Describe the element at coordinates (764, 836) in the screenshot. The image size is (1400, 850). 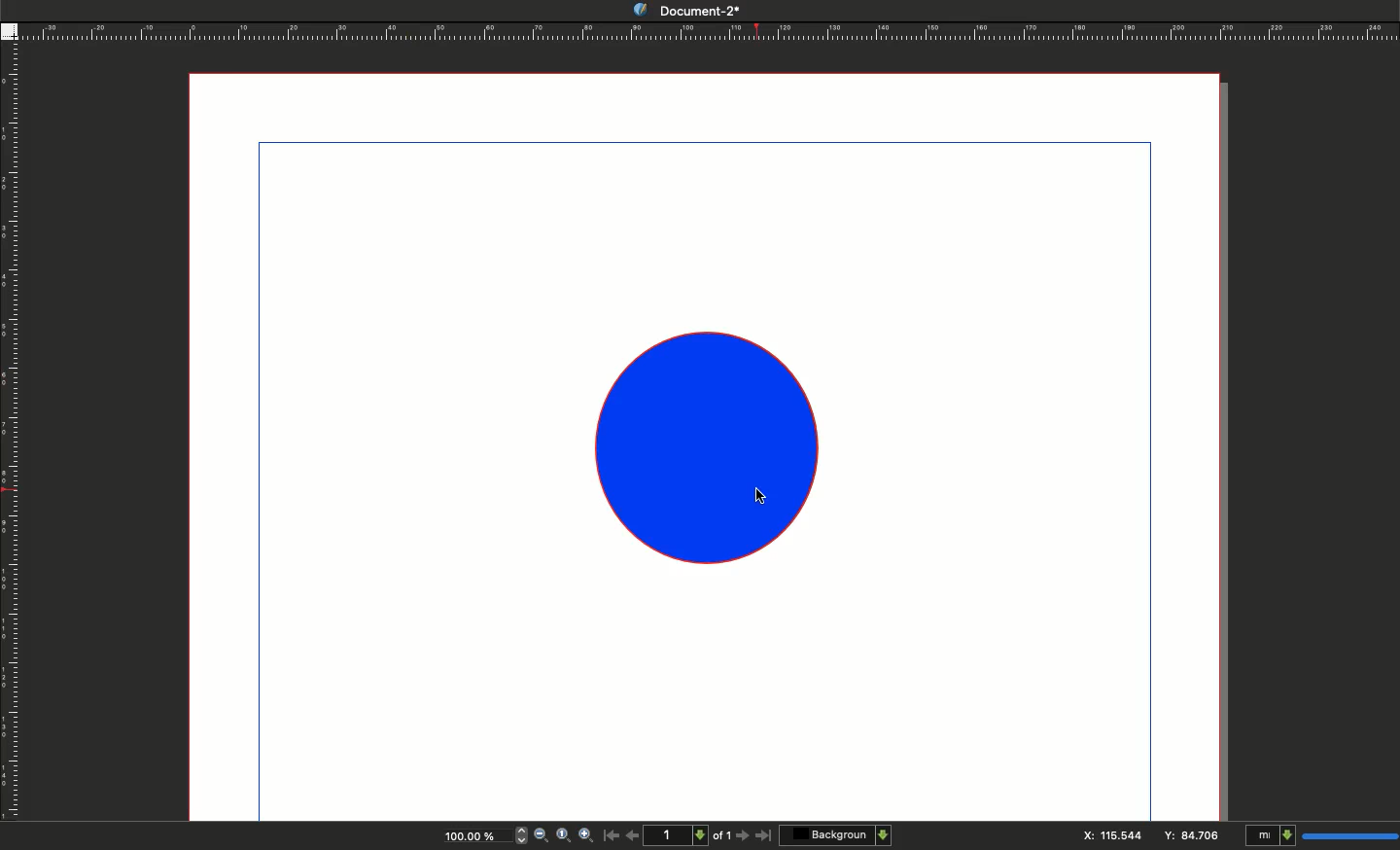
I see `Last page` at that location.